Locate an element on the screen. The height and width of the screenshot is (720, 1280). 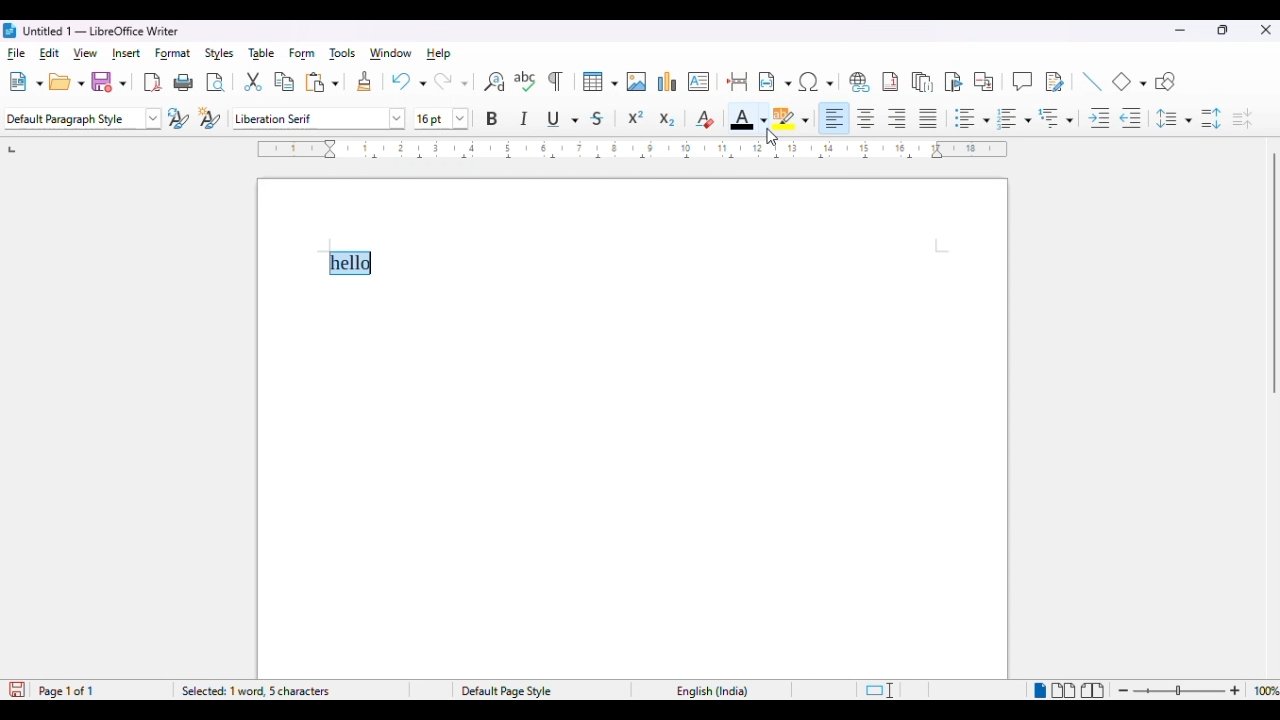
align right is located at coordinates (898, 119).